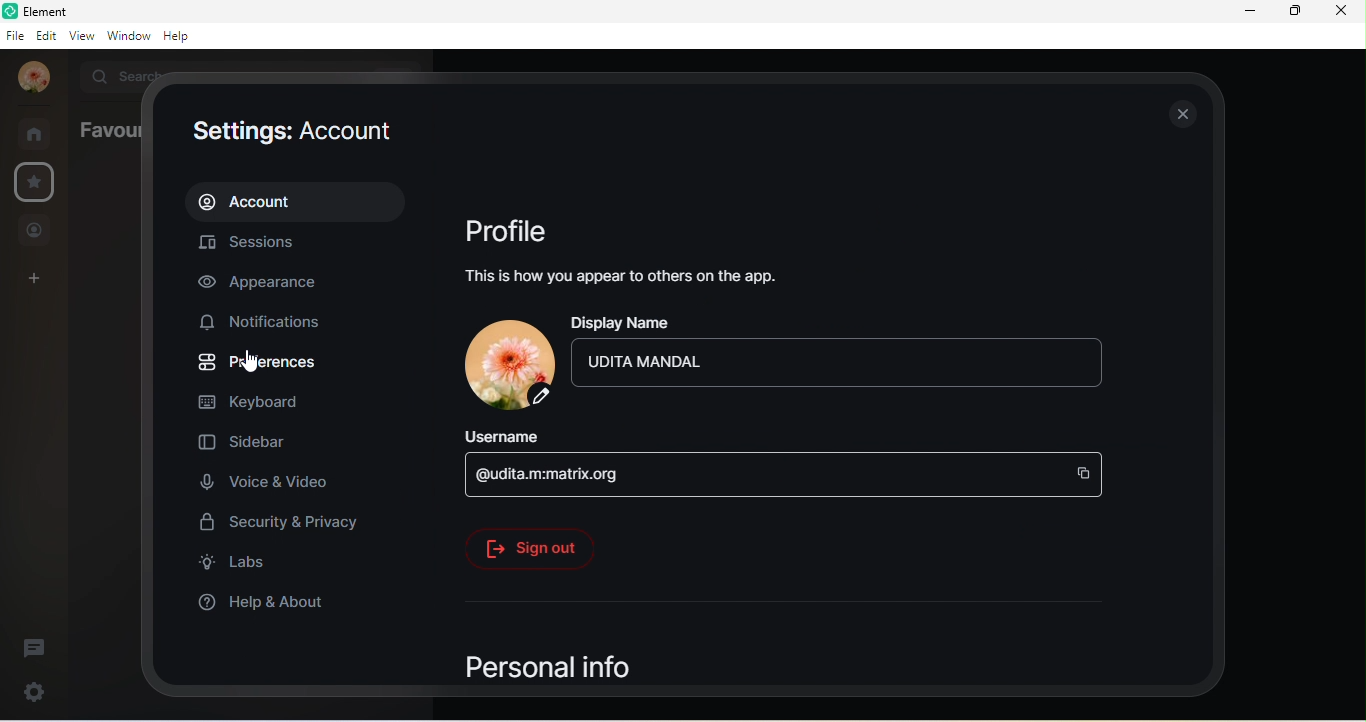 The width and height of the screenshot is (1366, 722). What do you see at coordinates (268, 284) in the screenshot?
I see `appearance` at bounding box center [268, 284].